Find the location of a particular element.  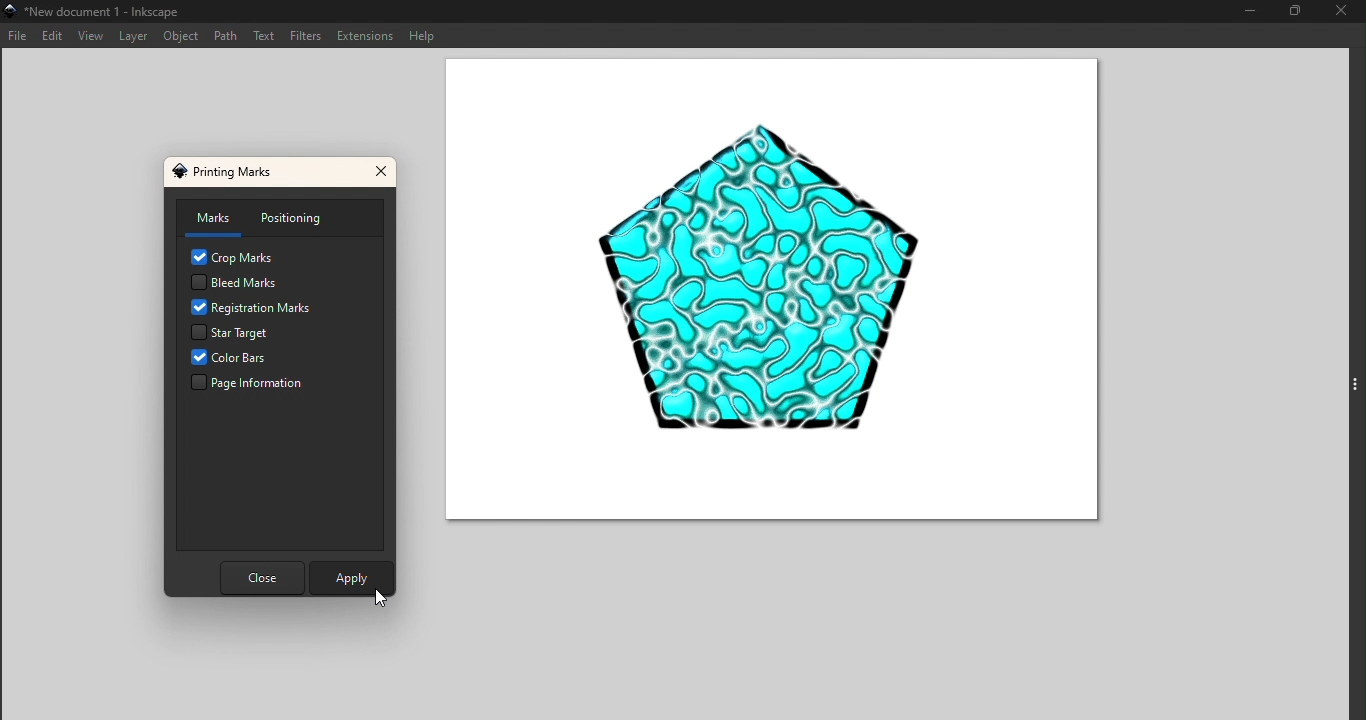

Object is located at coordinates (184, 37).